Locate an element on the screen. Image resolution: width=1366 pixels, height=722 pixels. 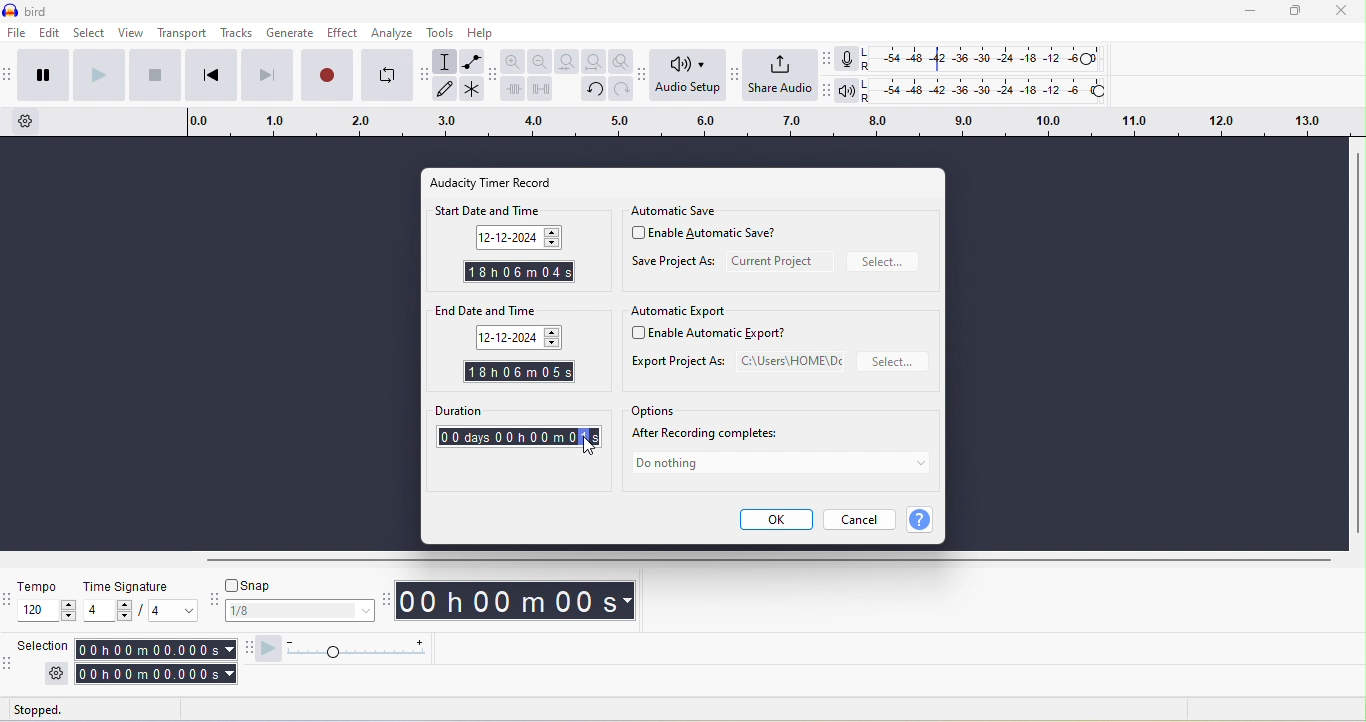
current project is located at coordinates (779, 262).